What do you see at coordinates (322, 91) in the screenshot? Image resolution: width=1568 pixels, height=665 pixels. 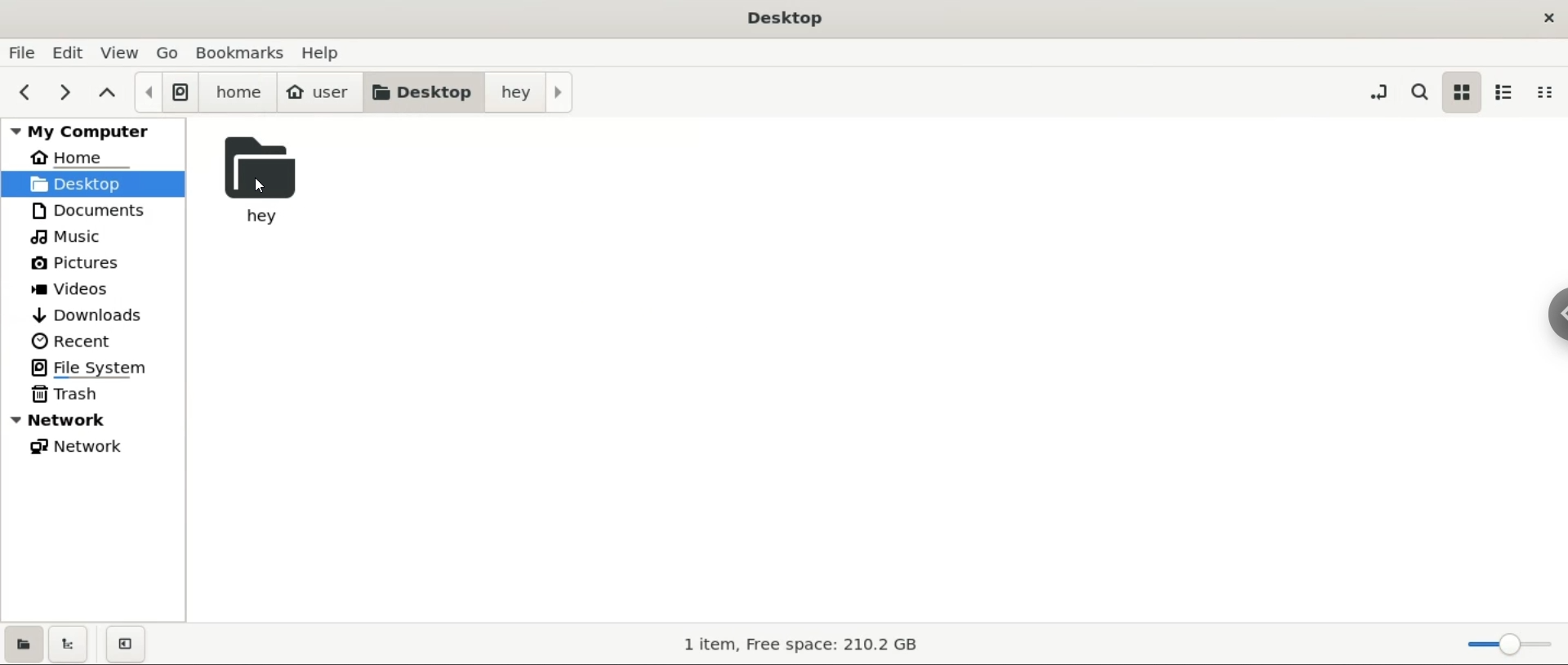 I see `user` at bounding box center [322, 91].